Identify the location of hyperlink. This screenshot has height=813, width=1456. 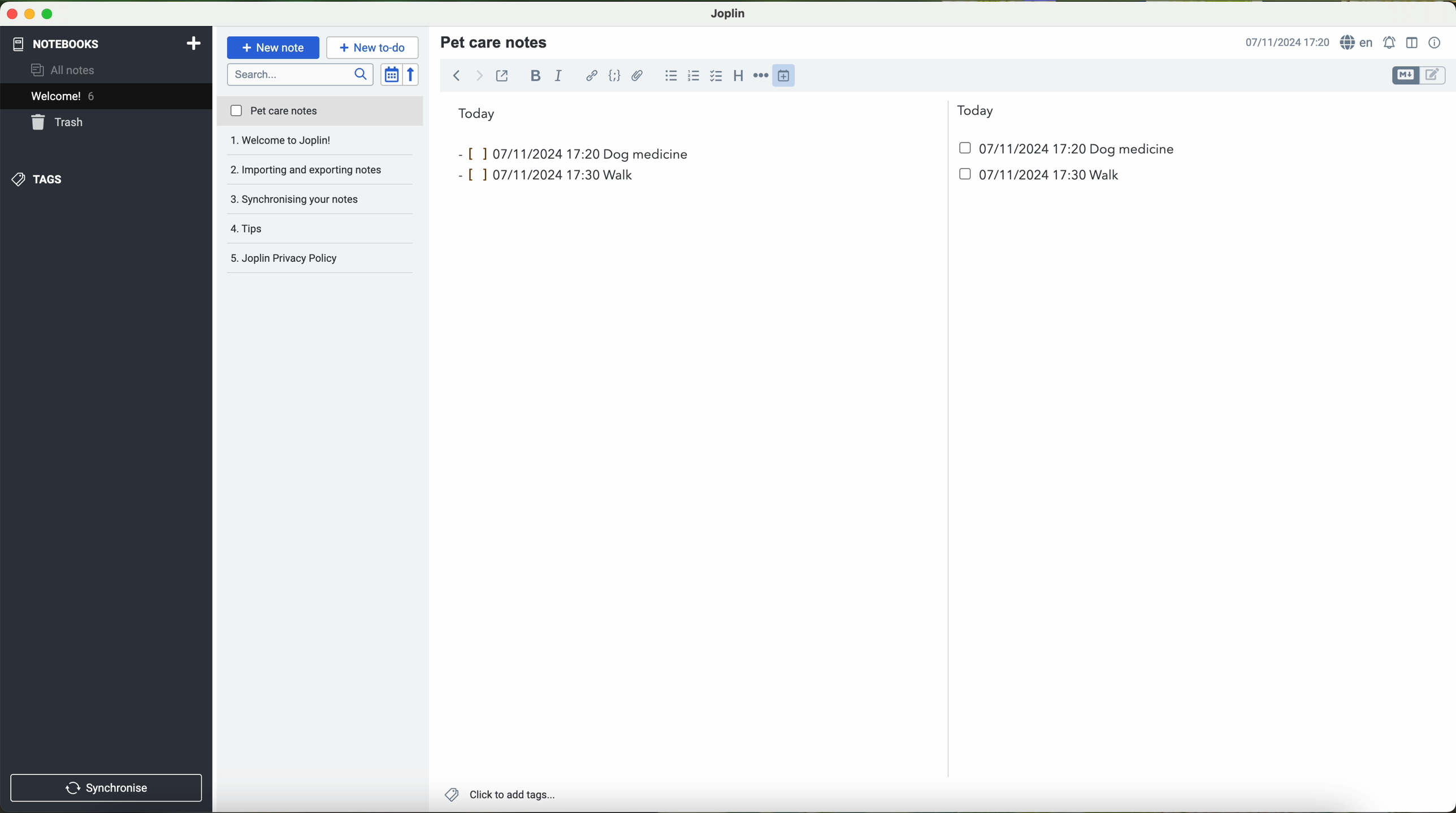
(593, 77).